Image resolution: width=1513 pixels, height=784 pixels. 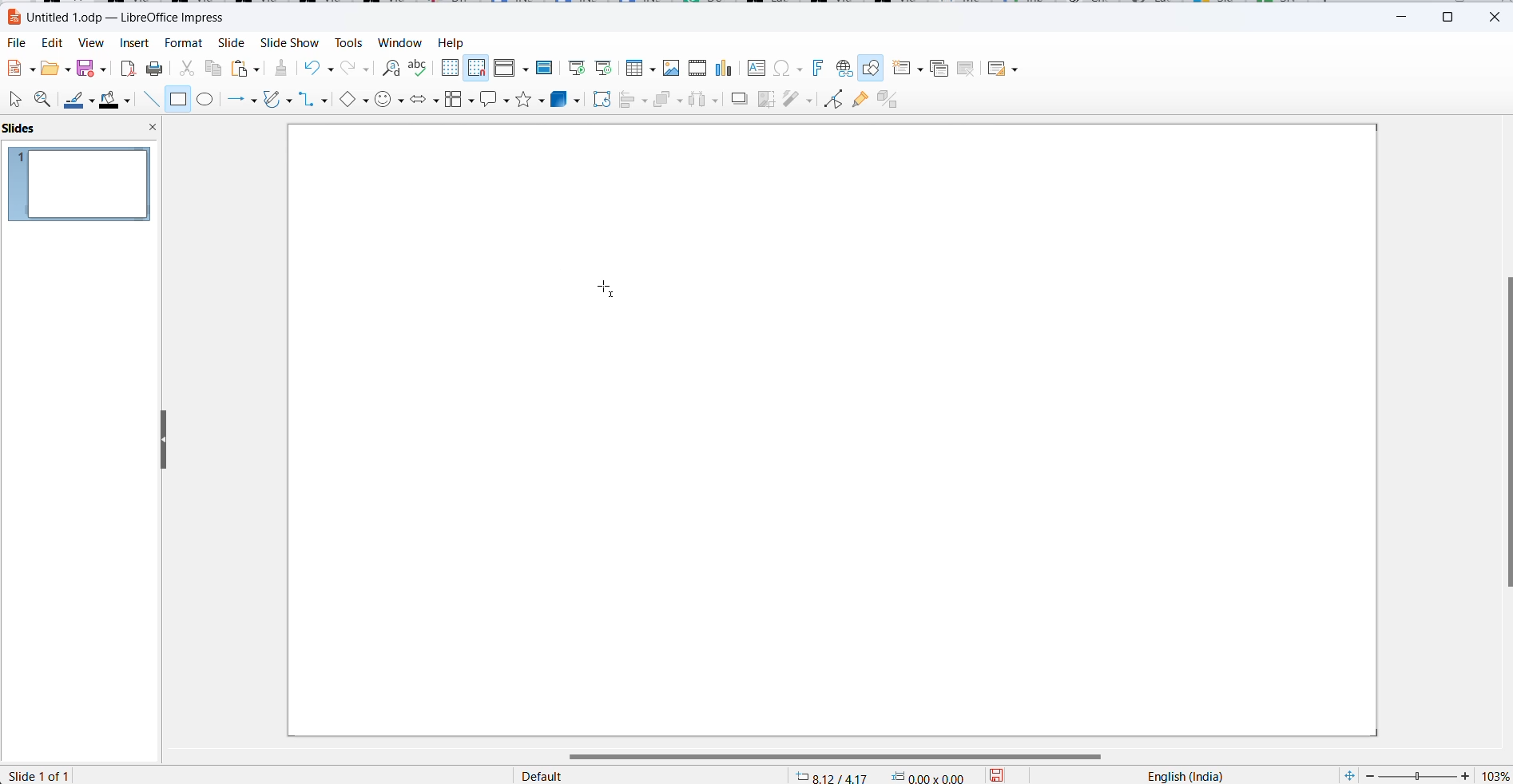 What do you see at coordinates (347, 43) in the screenshot?
I see `Tools` at bounding box center [347, 43].